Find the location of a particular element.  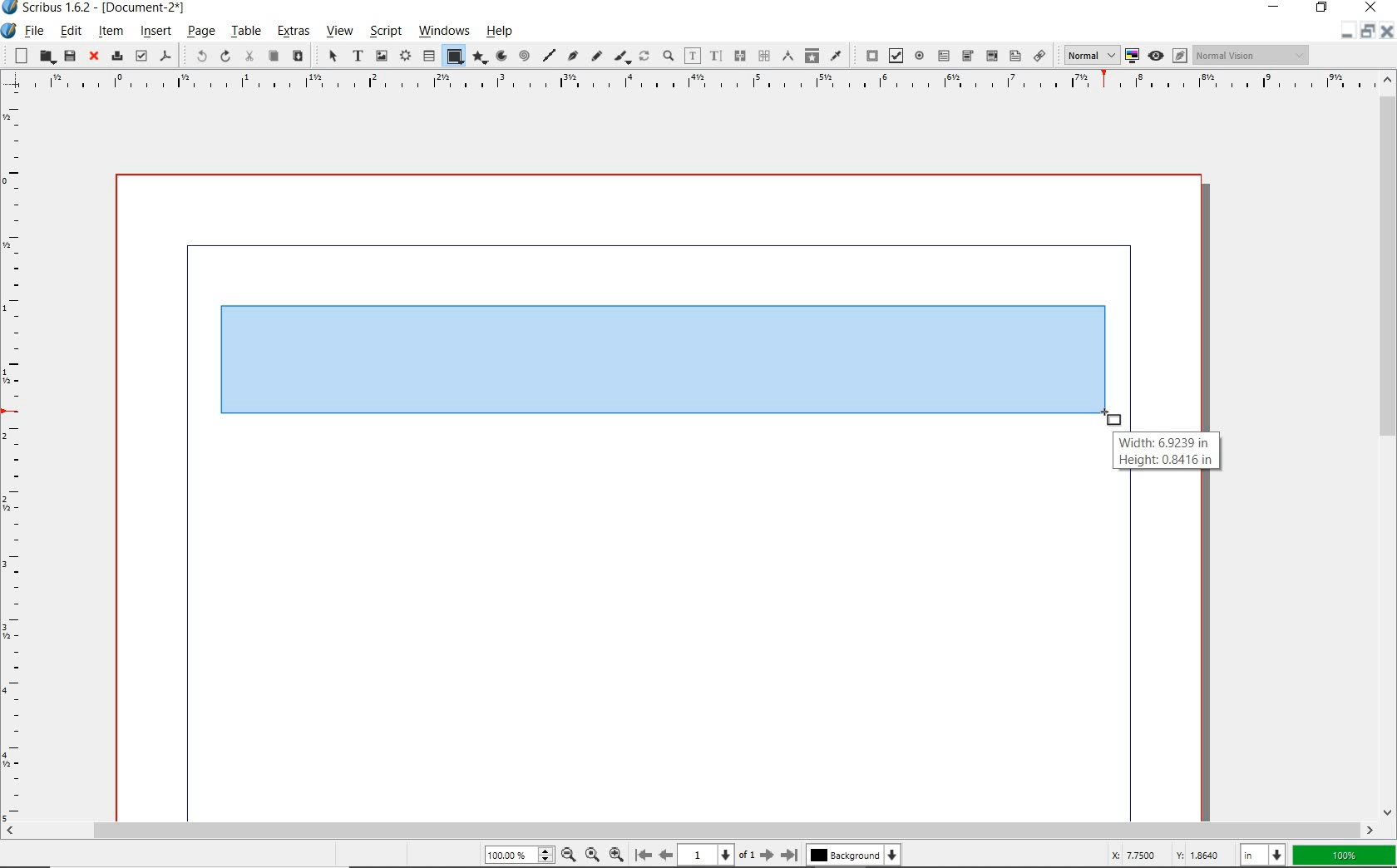

minimize is located at coordinates (1345, 36).